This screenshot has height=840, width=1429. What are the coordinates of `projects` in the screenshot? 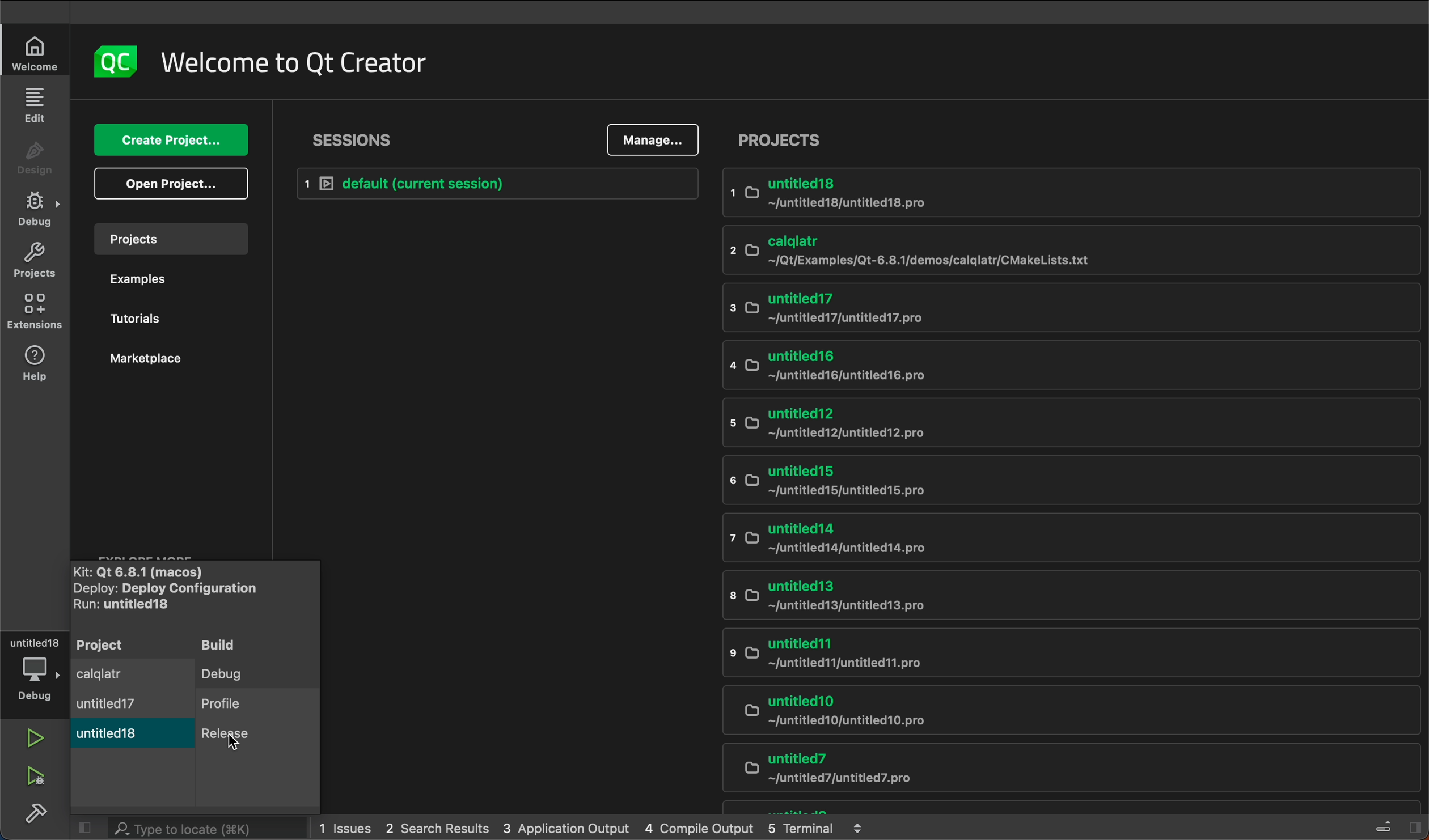 It's located at (37, 258).